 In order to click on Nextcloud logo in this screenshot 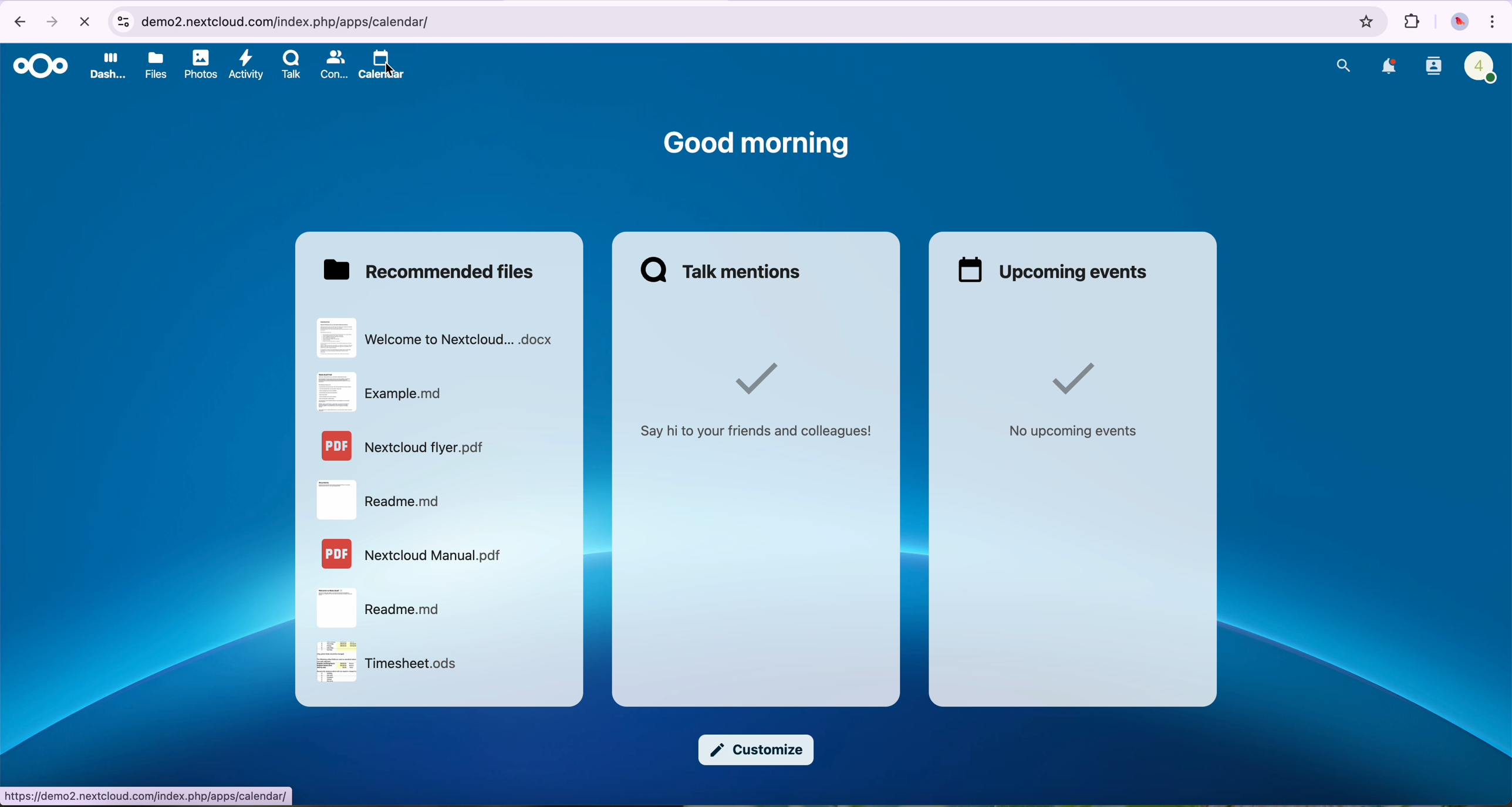, I will do `click(39, 67)`.